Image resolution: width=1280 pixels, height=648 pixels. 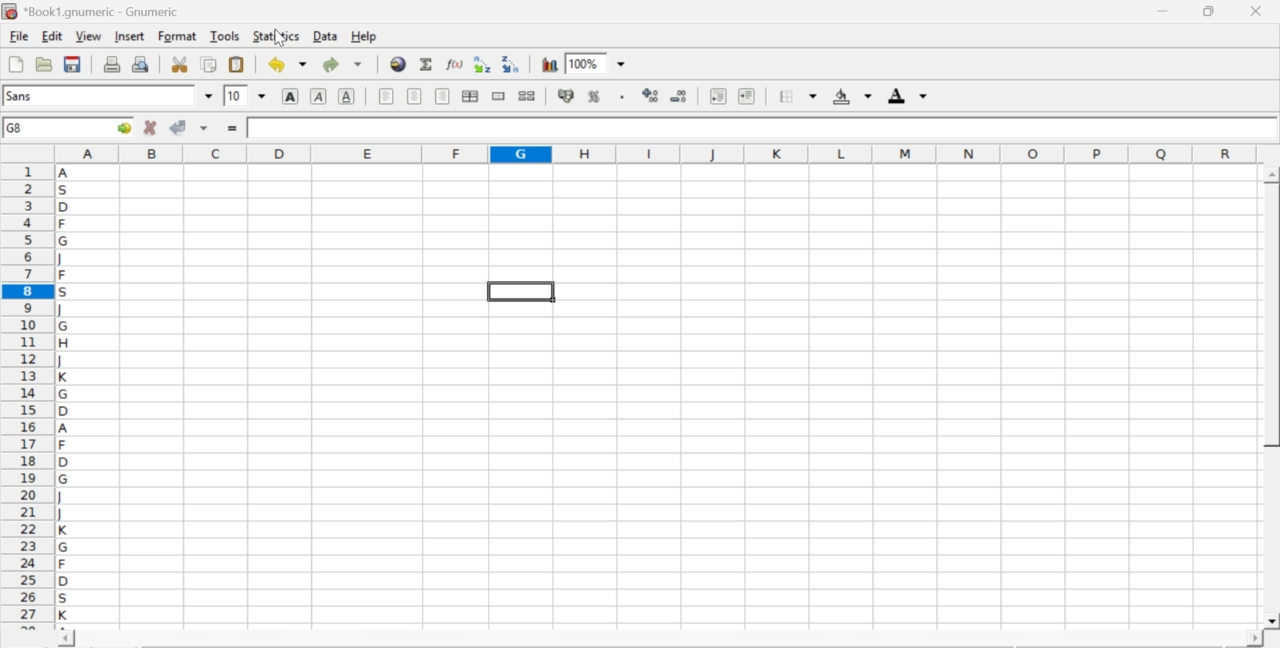 What do you see at coordinates (18, 37) in the screenshot?
I see `file` at bounding box center [18, 37].